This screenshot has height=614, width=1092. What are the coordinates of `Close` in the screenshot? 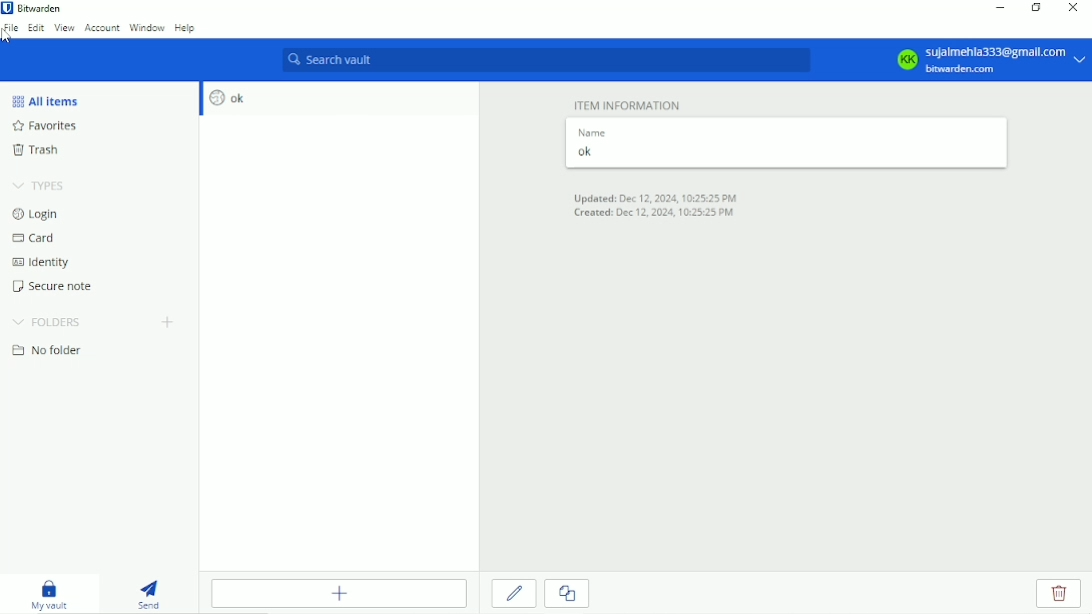 It's located at (1071, 9).